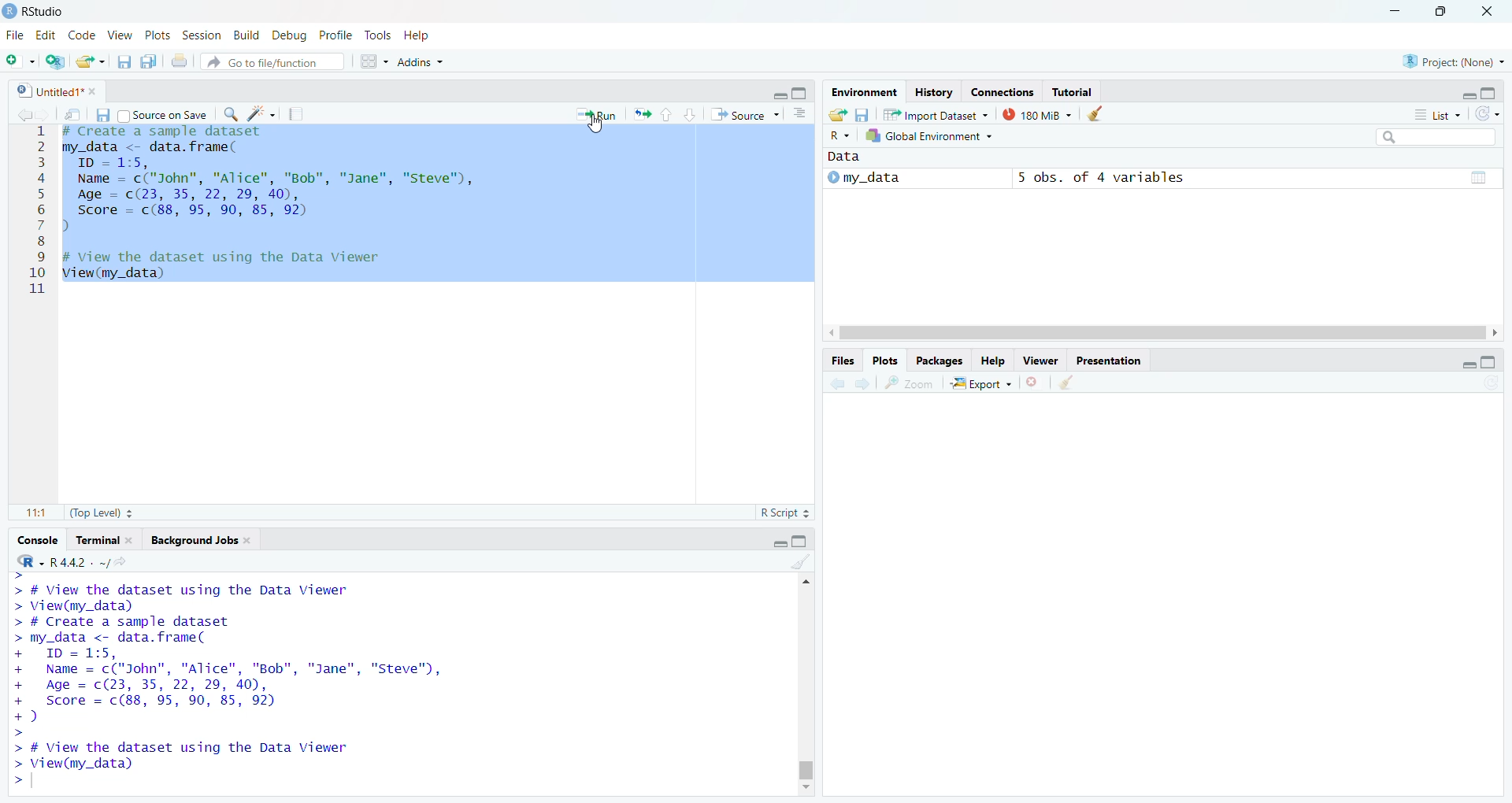 The height and width of the screenshot is (803, 1512). Describe the element at coordinates (641, 115) in the screenshot. I see `resize` at that location.